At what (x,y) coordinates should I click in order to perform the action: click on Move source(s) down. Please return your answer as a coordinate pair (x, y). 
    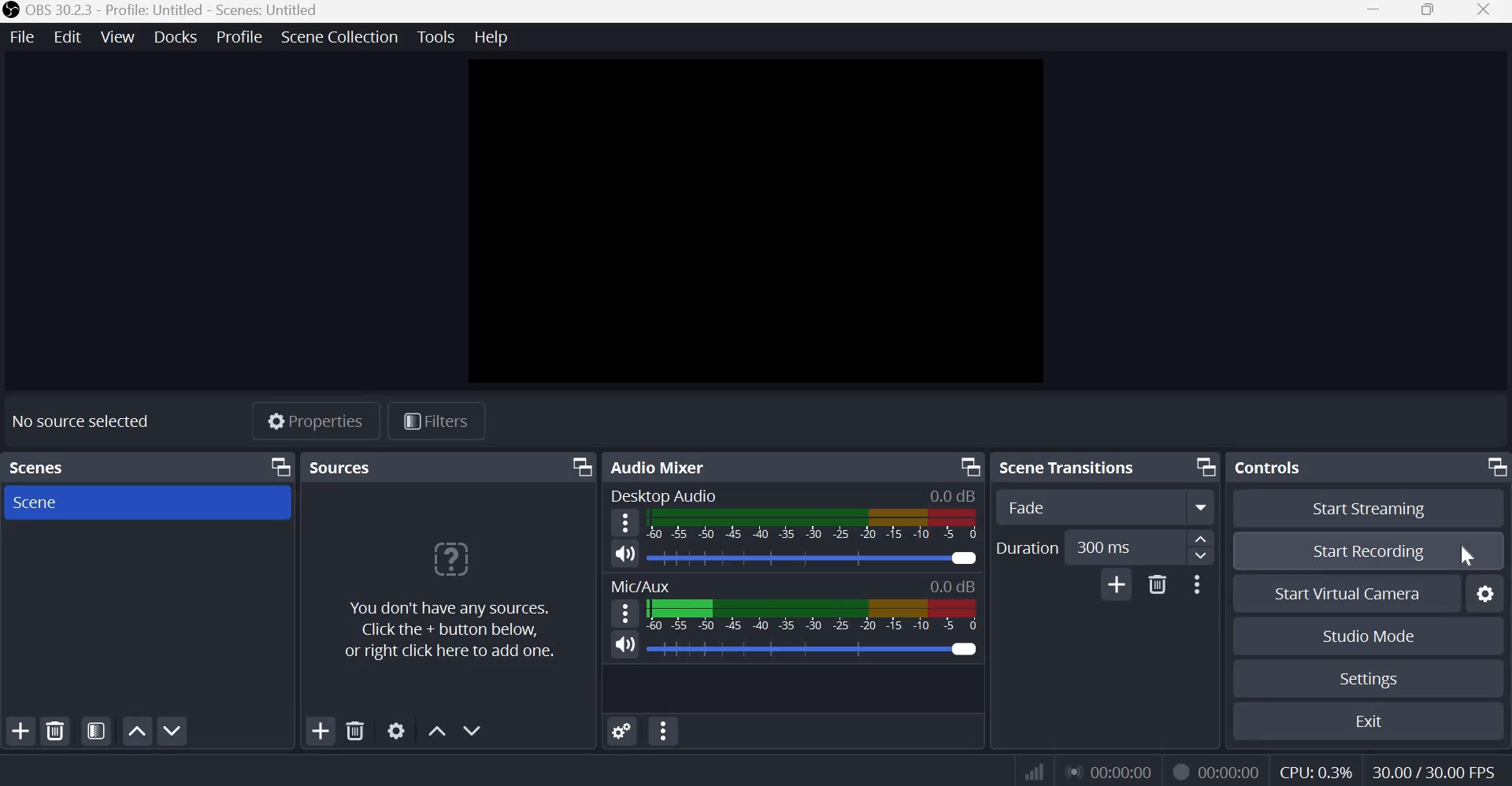
    Looking at the image, I should click on (477, 730).